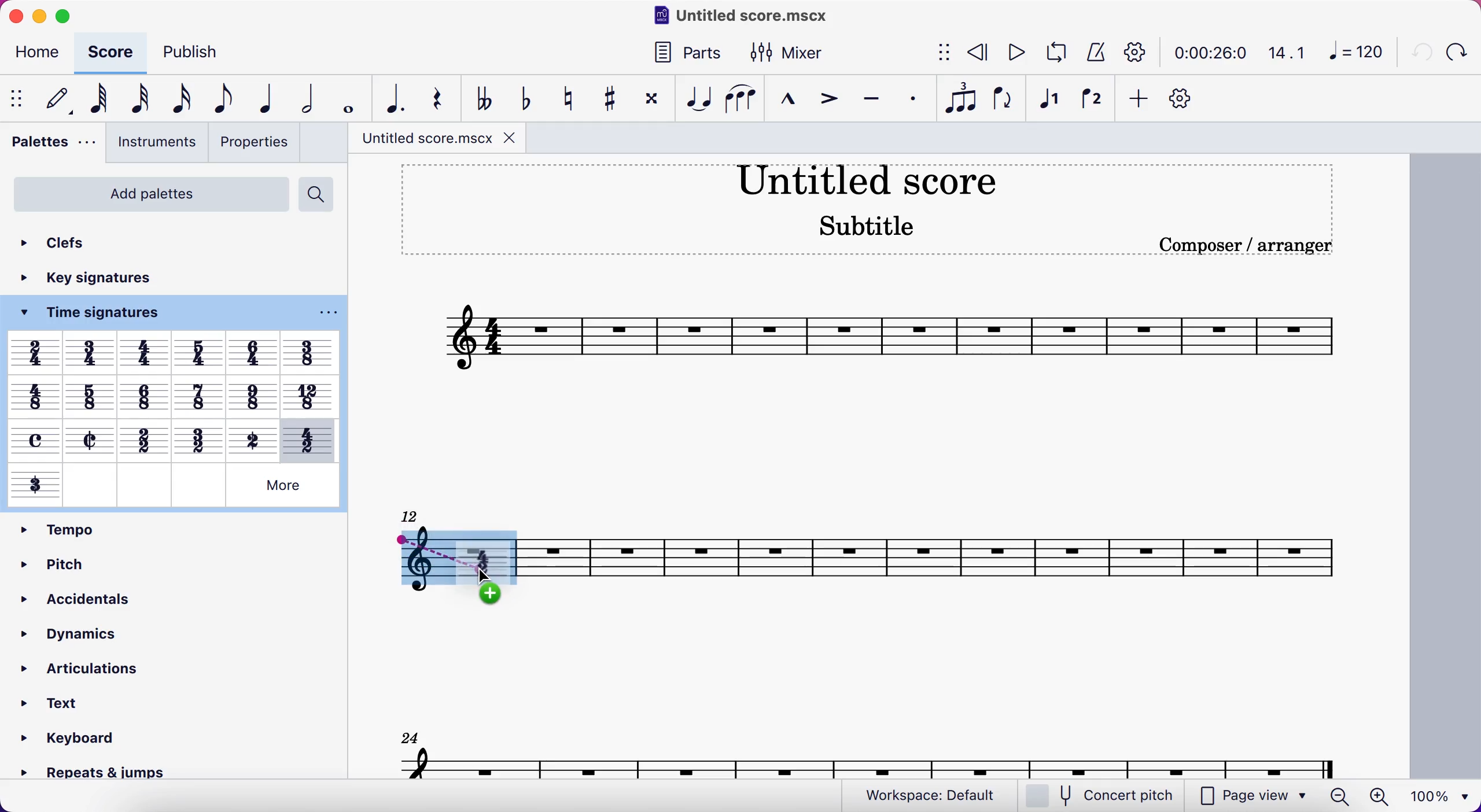 The height and width of the screenshot is (812, 1481). Describe the element at coordinates (92, 440) in the screenshot. I see `` at that location.